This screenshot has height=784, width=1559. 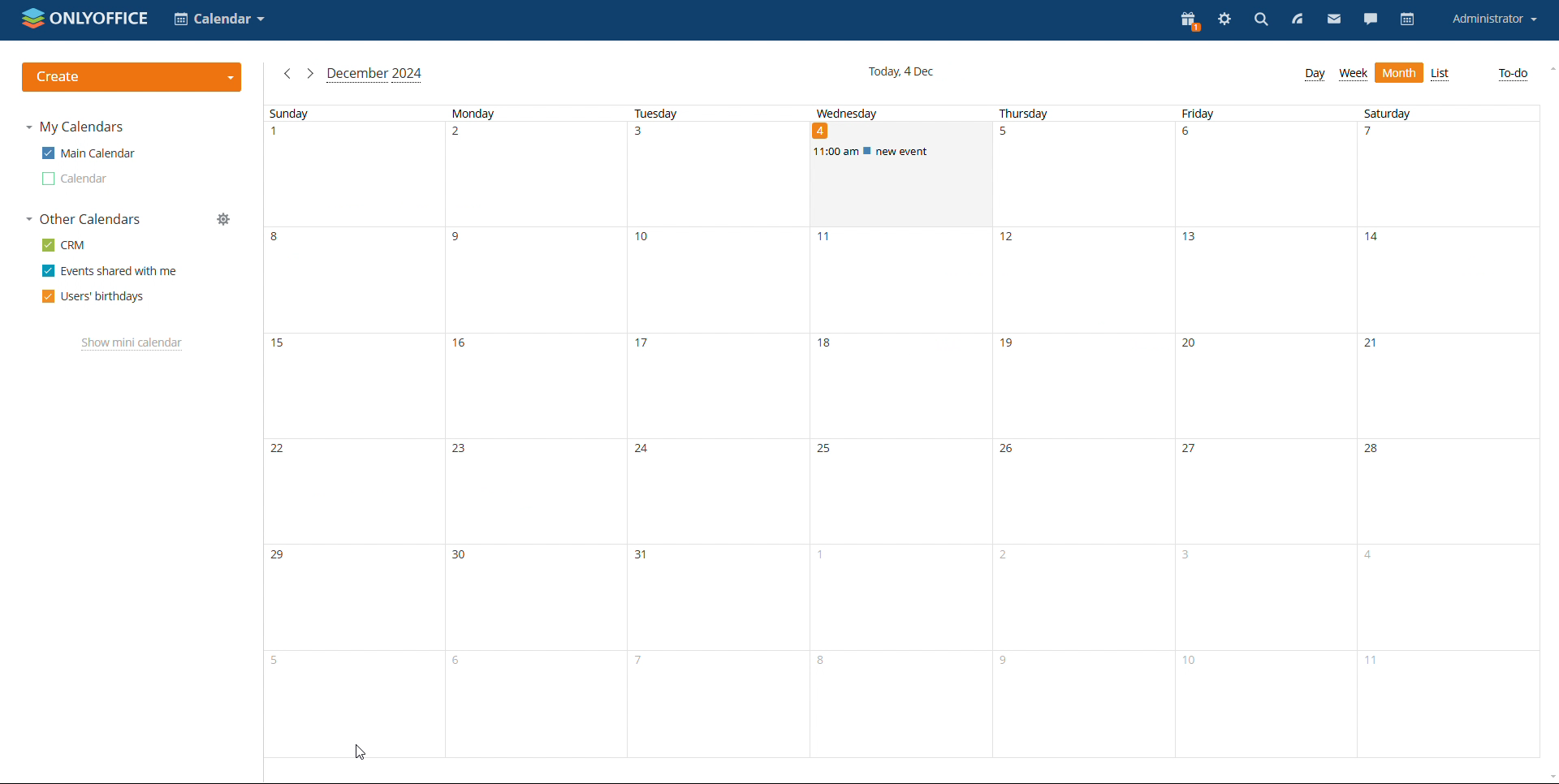 I want to click on mail, so click(x=1333, y=21).